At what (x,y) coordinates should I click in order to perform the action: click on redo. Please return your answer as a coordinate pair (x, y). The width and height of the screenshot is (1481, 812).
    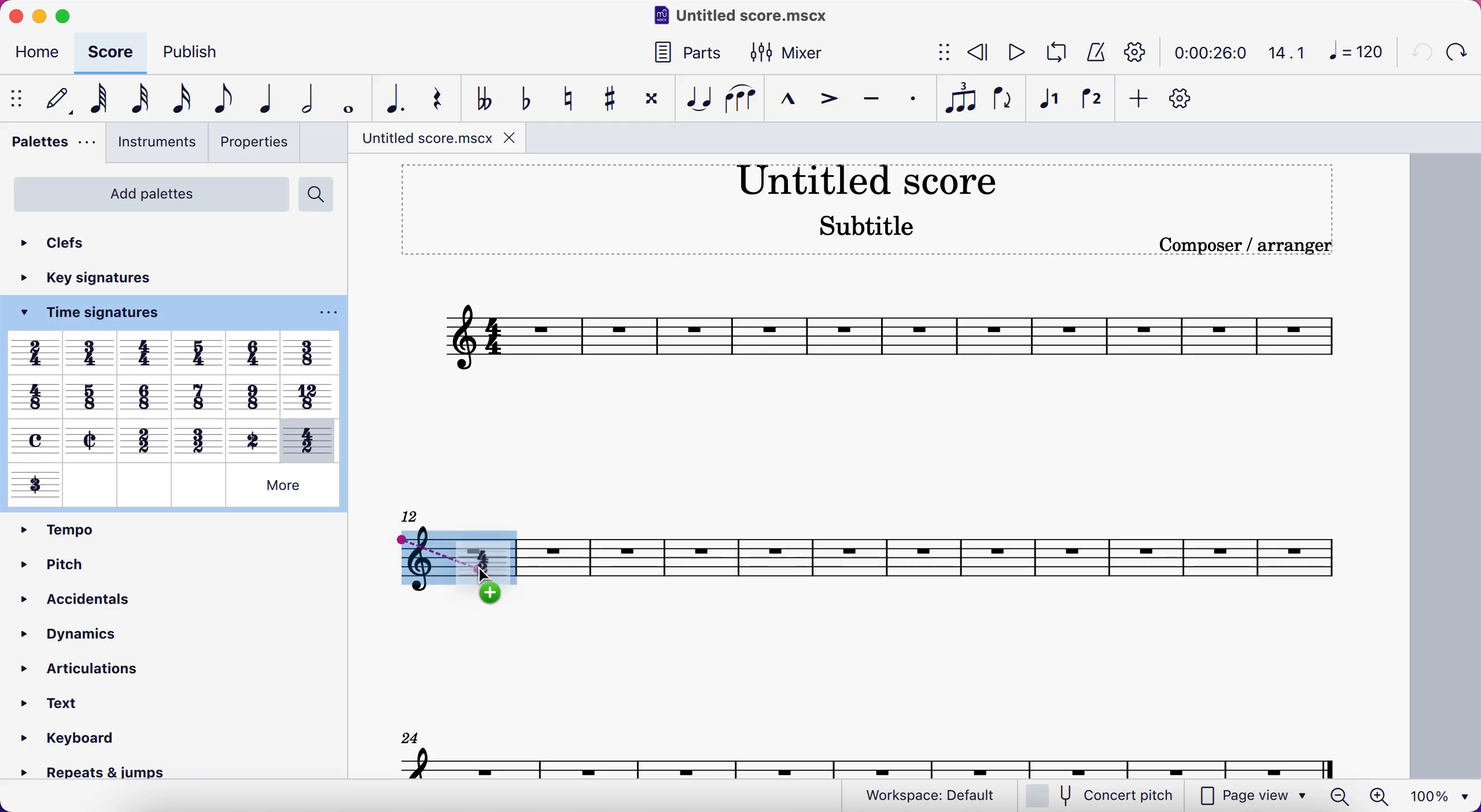
    Looking at the image, I should click on (1459, 51).